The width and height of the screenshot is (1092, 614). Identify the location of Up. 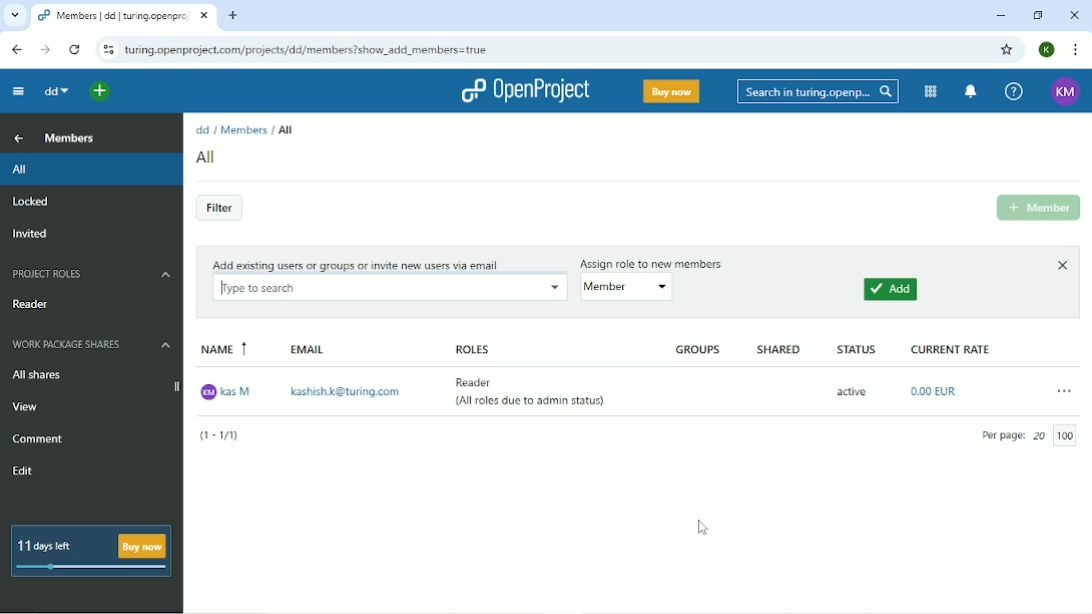
(19, 139).